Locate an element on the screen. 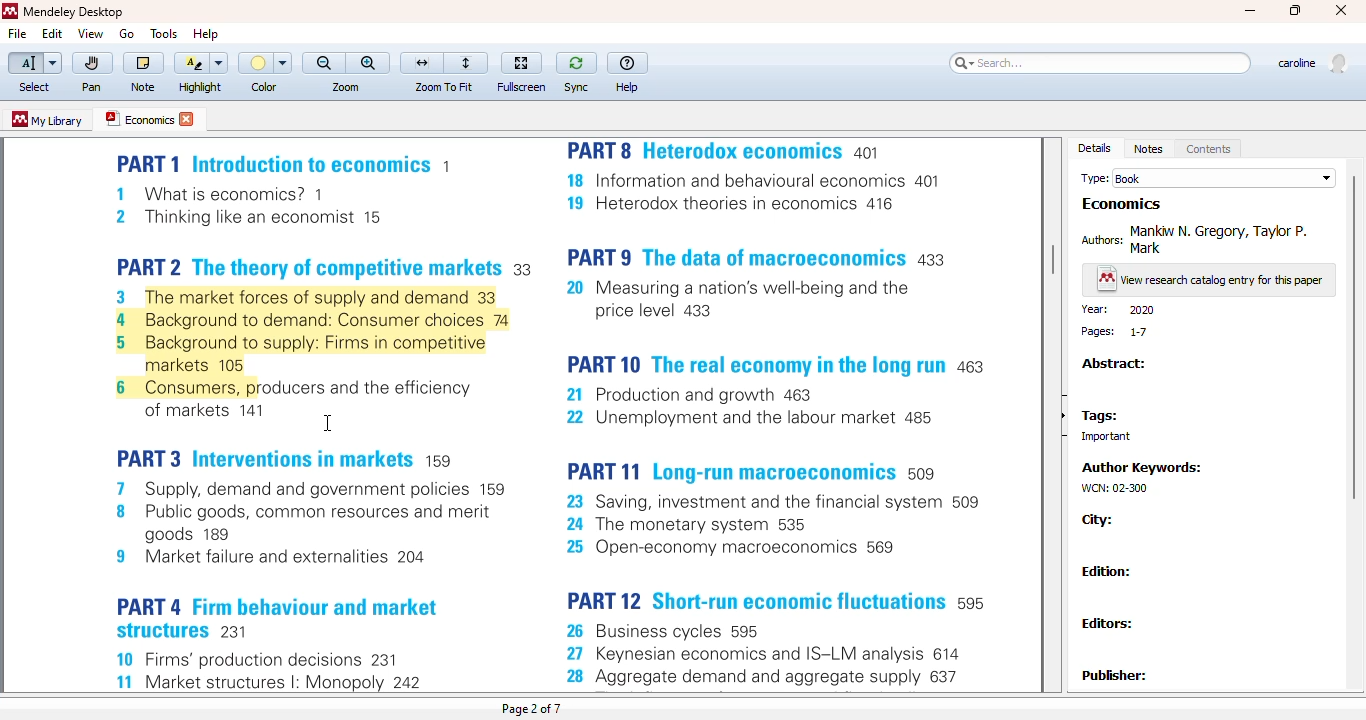 The width and height of the screenshot is (1366, 720). view is located at coordinates (90, 33).